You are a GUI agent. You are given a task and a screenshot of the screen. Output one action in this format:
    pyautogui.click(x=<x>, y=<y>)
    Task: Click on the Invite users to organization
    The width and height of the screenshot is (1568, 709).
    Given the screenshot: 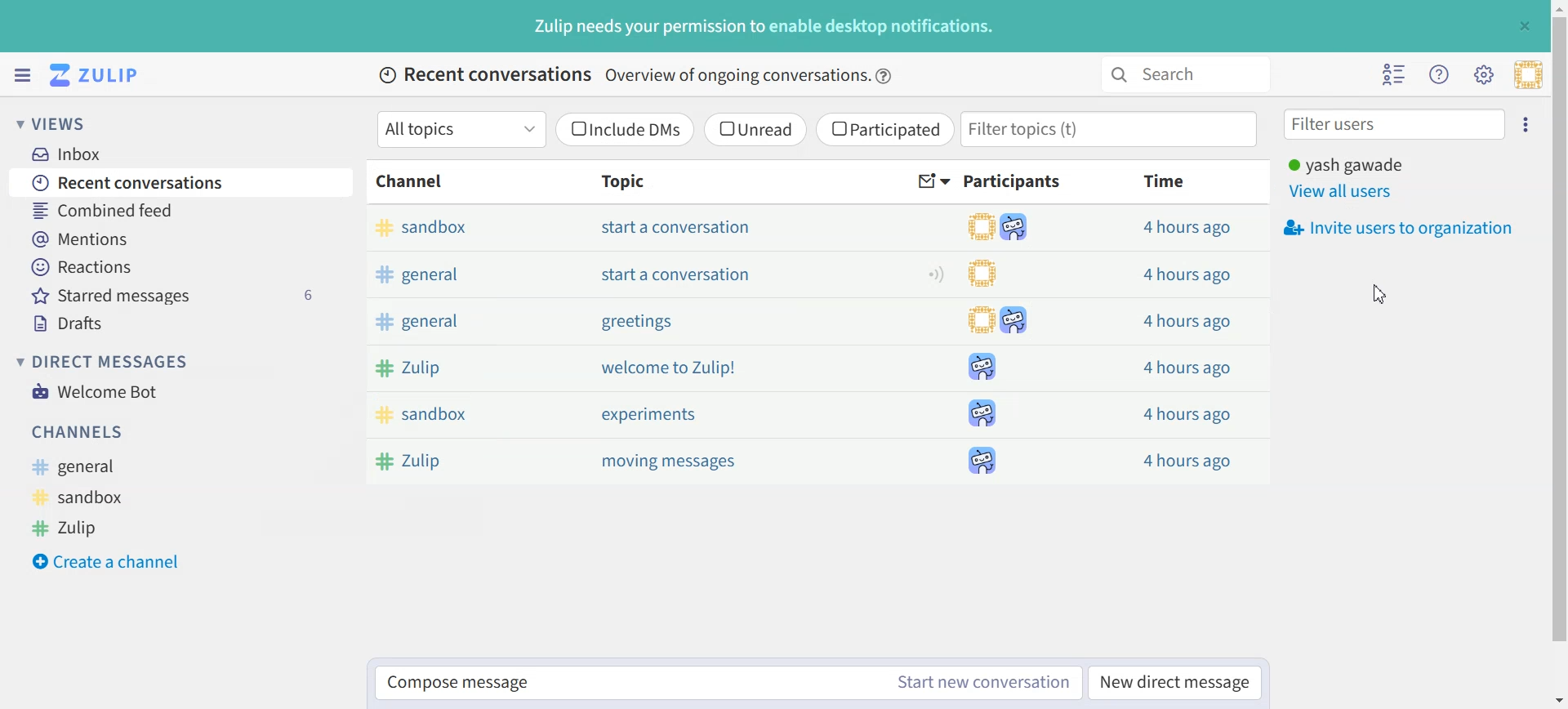 What is the action you would take?
    pyautogui.click(x=1396, y=228)
    